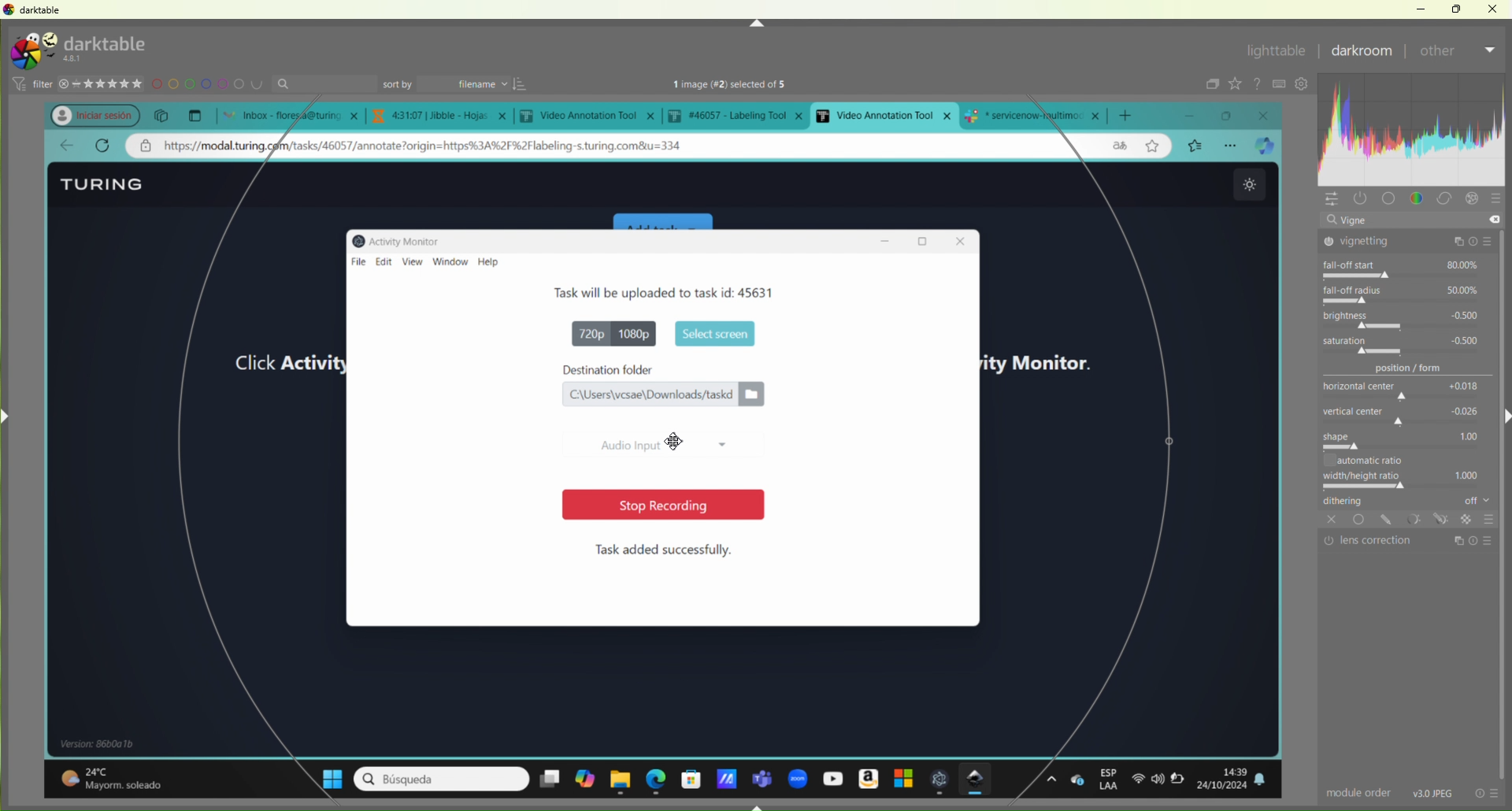 The width and height of the screenshot is (1512, 811). What do you see at coordinates (1038, 114) in the screenshot?
I see `tab` at bounding box center [1038, 114].